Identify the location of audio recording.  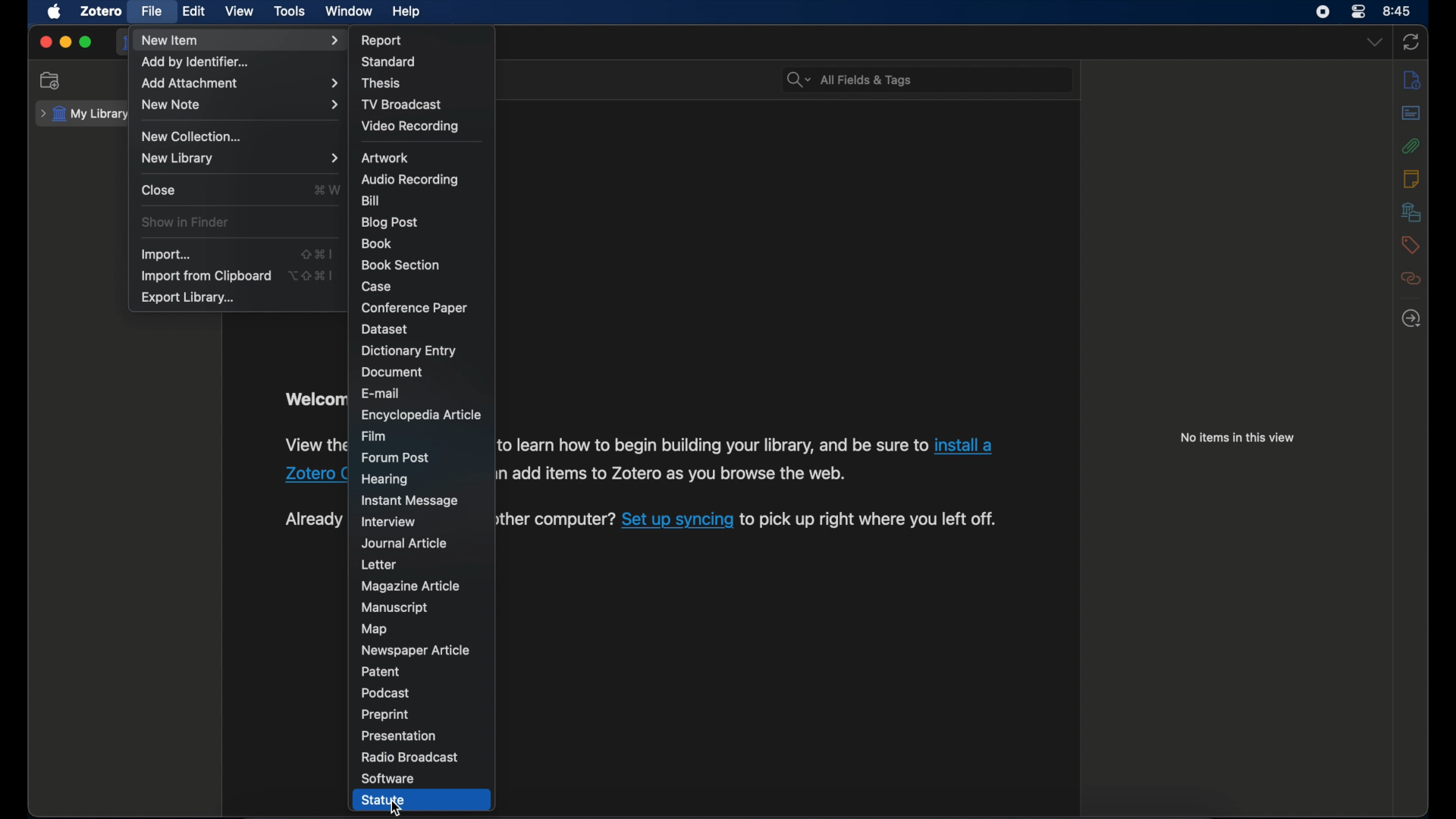
(409, 178).